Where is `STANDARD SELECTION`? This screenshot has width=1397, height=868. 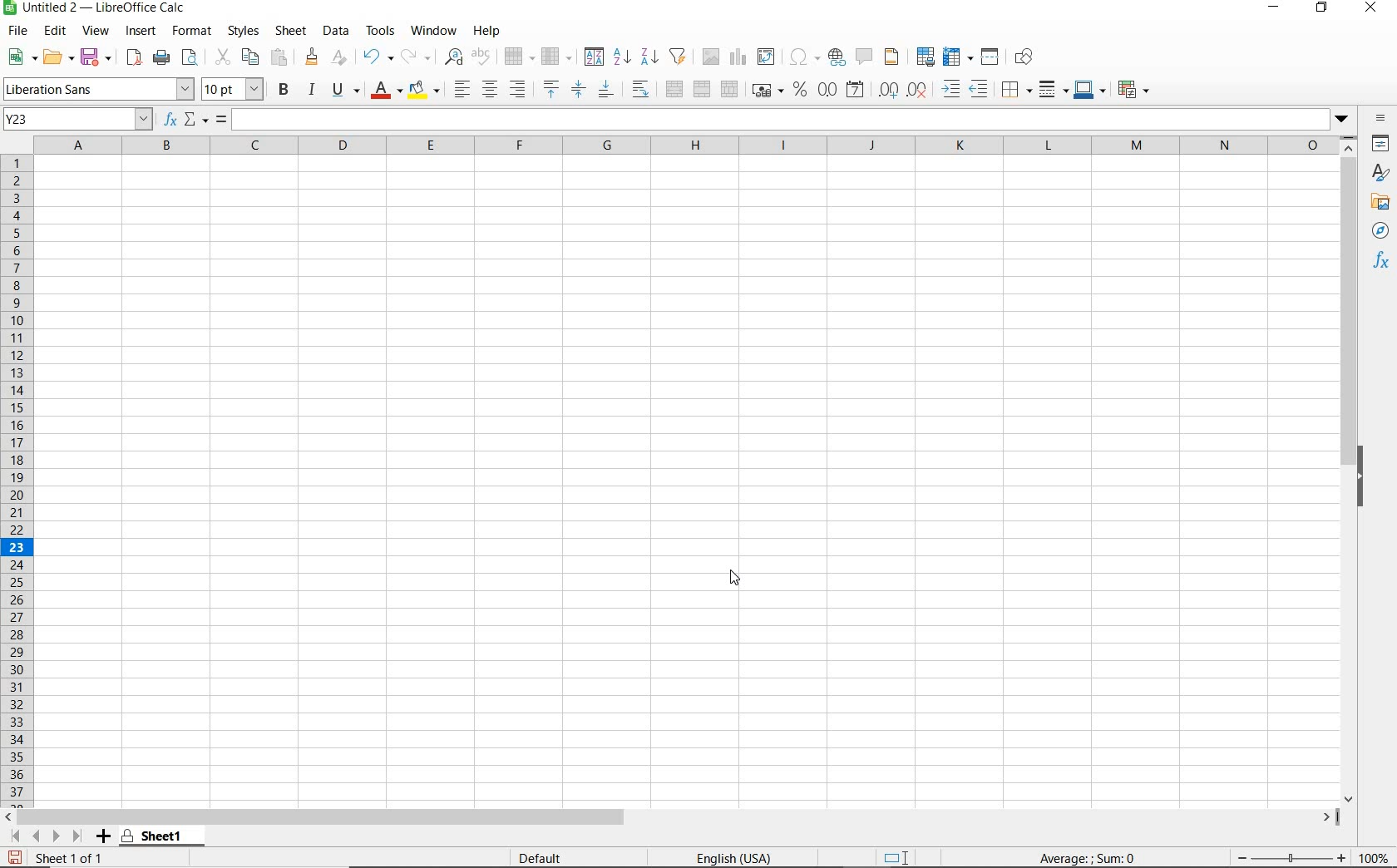 STANDARD SELECTION is located at coordinates (897, 858).